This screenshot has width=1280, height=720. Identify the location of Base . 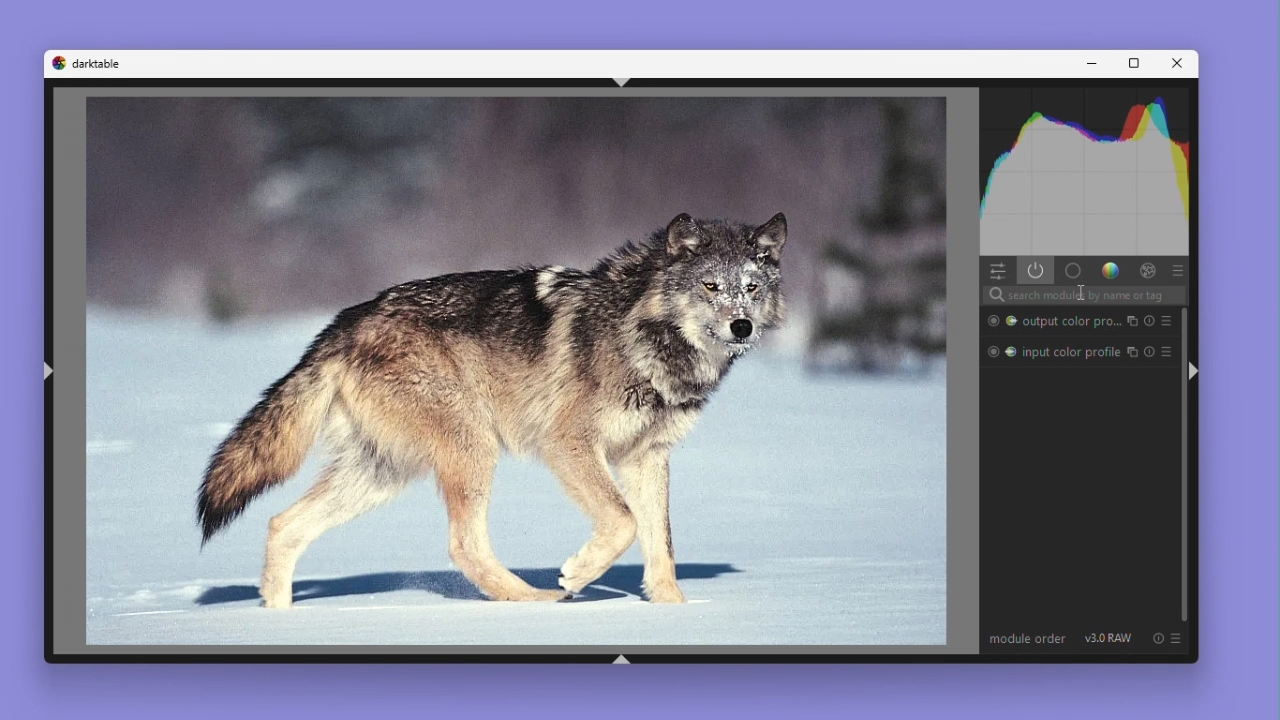
(1073, 270).